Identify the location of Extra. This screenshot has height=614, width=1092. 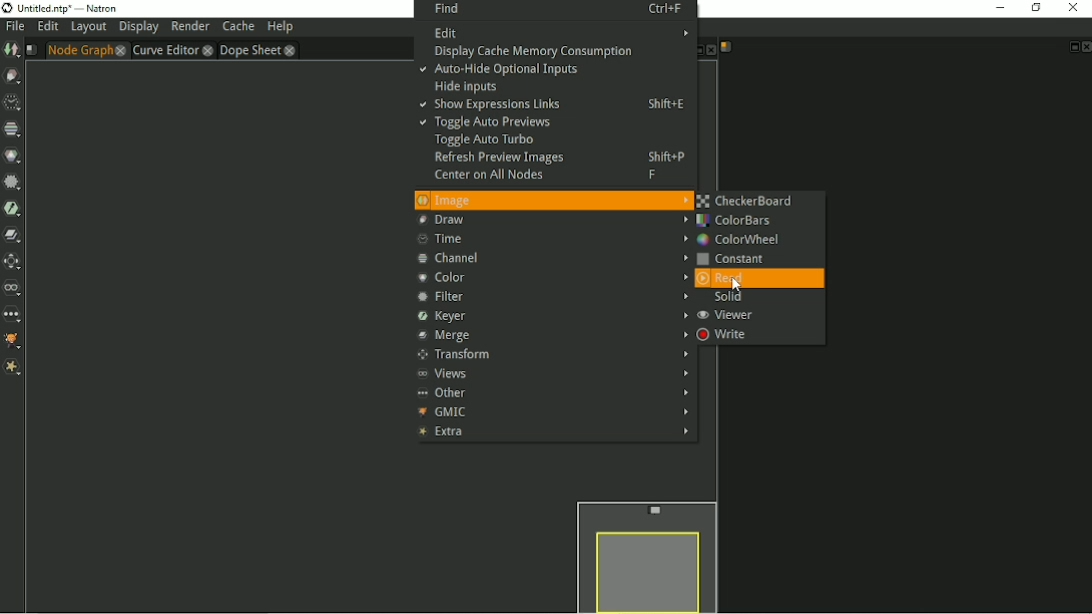
(553, 433).